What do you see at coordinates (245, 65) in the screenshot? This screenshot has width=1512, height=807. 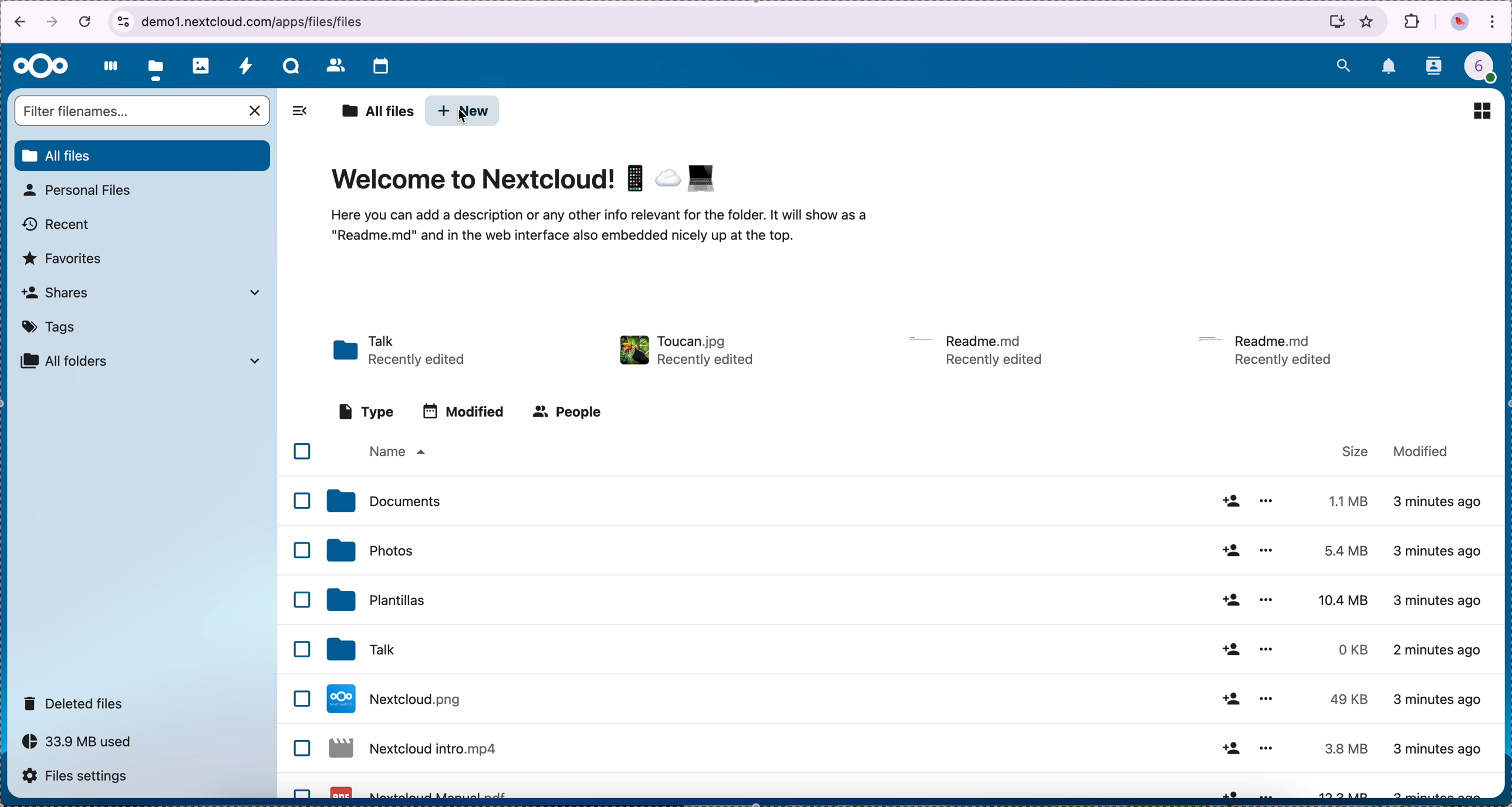 I see `activity` at bounding box center [245, 65].